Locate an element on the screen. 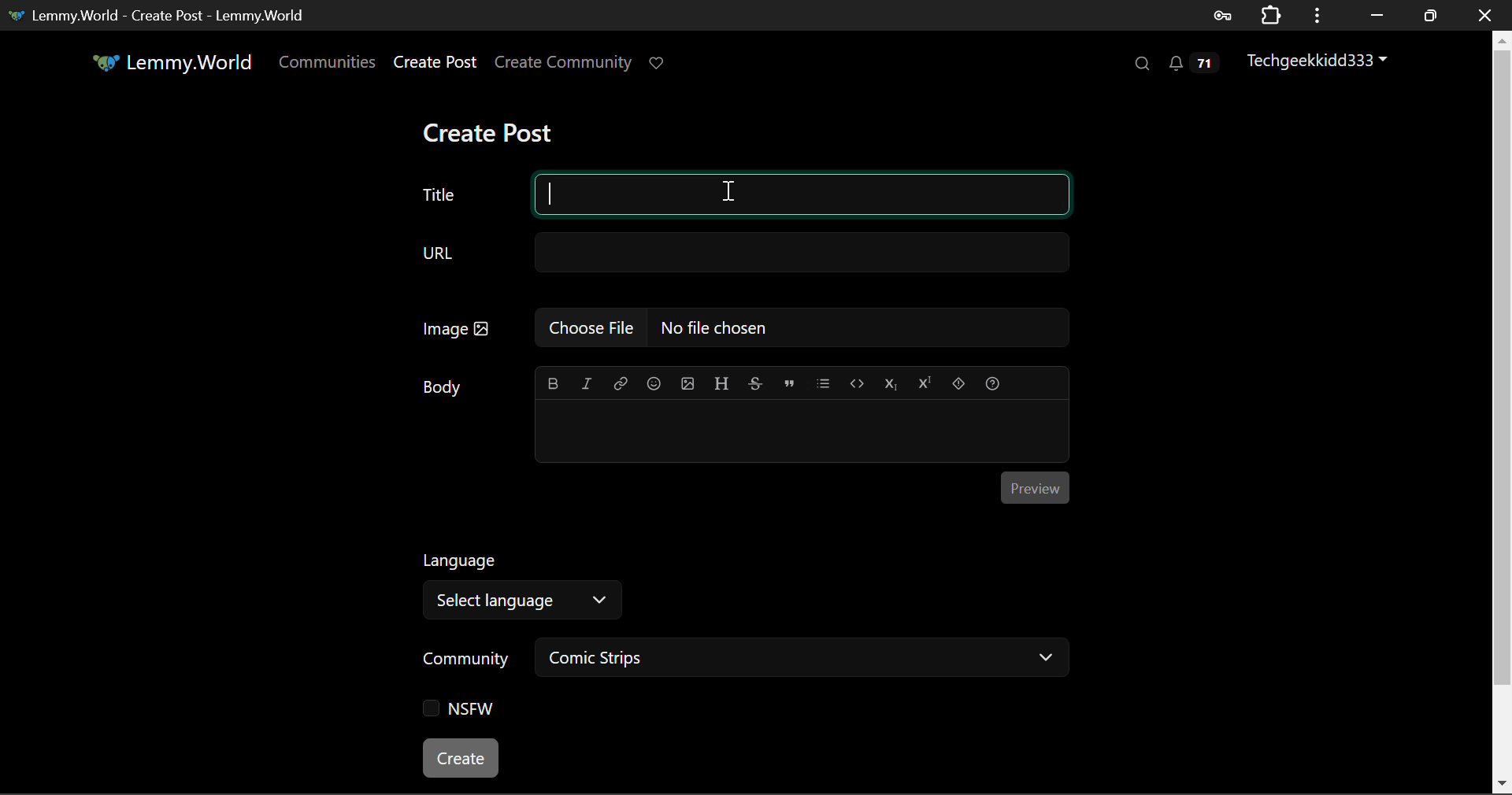  link is located at coordinates (620, 380).